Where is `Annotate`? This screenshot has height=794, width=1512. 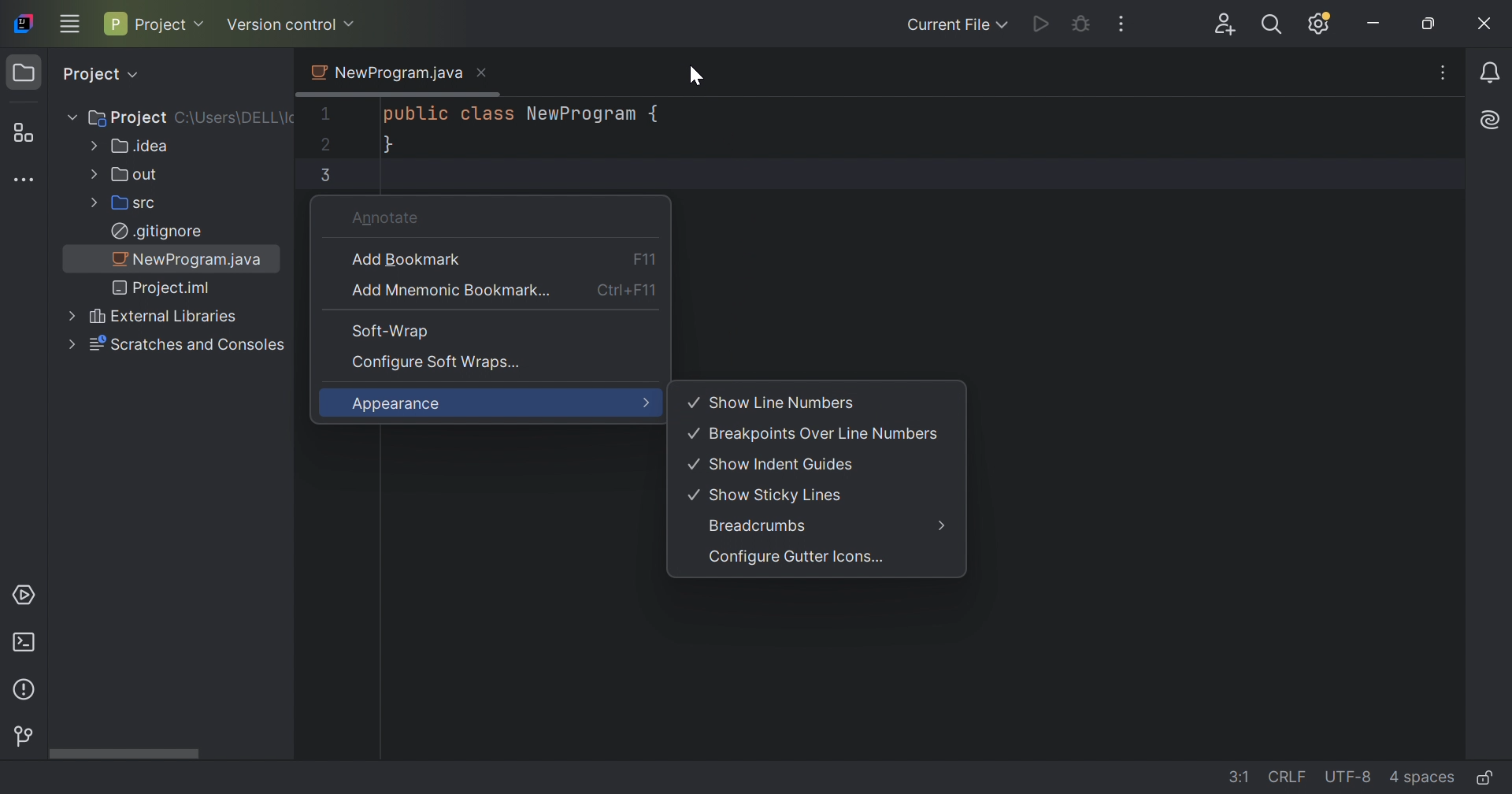 Annotate is located at coordinates (388, 217).